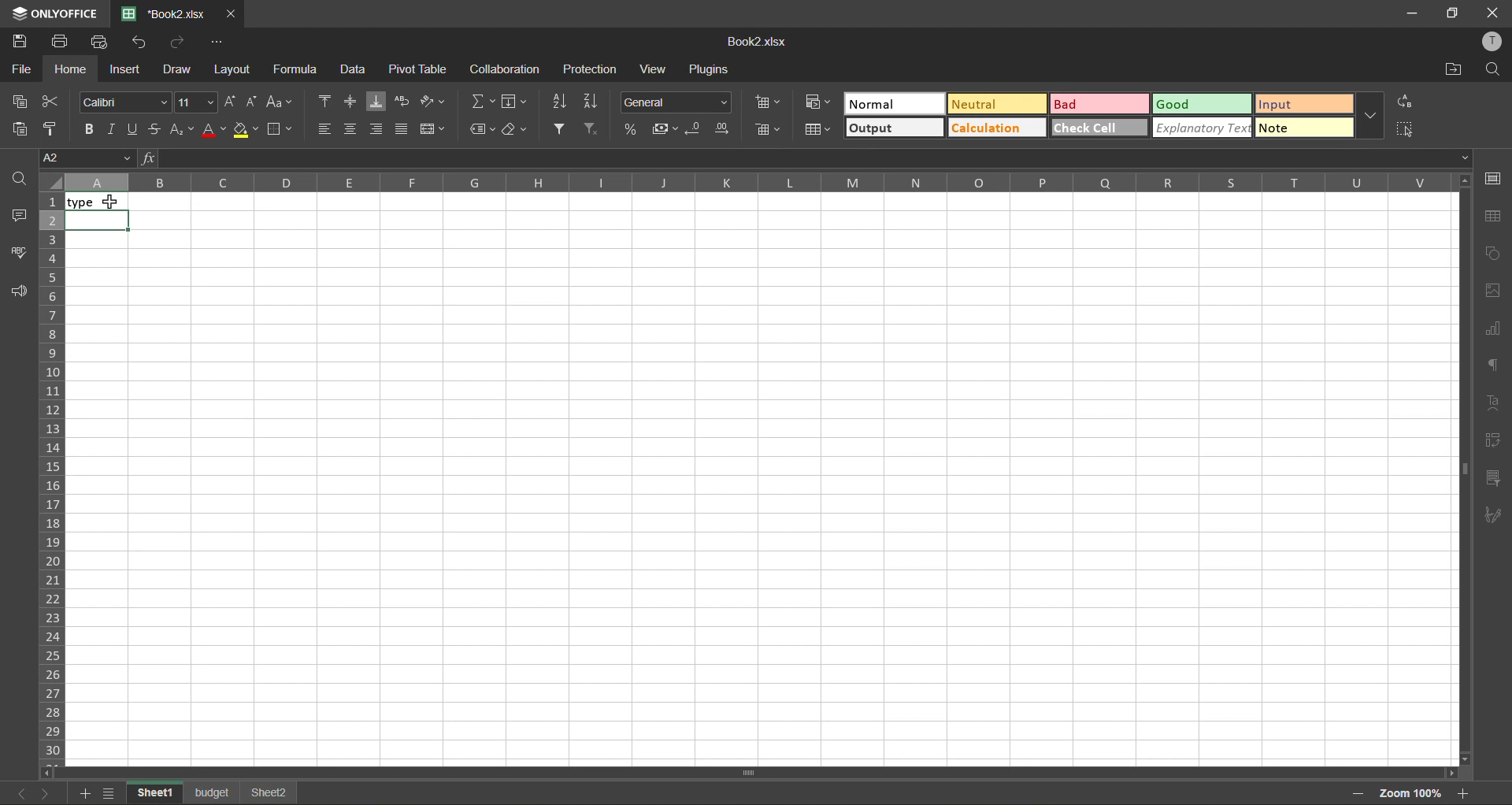  What do you see at coordinates (113, 129) in the screenshot?
I see `italic` at bounding box center [113, 129].